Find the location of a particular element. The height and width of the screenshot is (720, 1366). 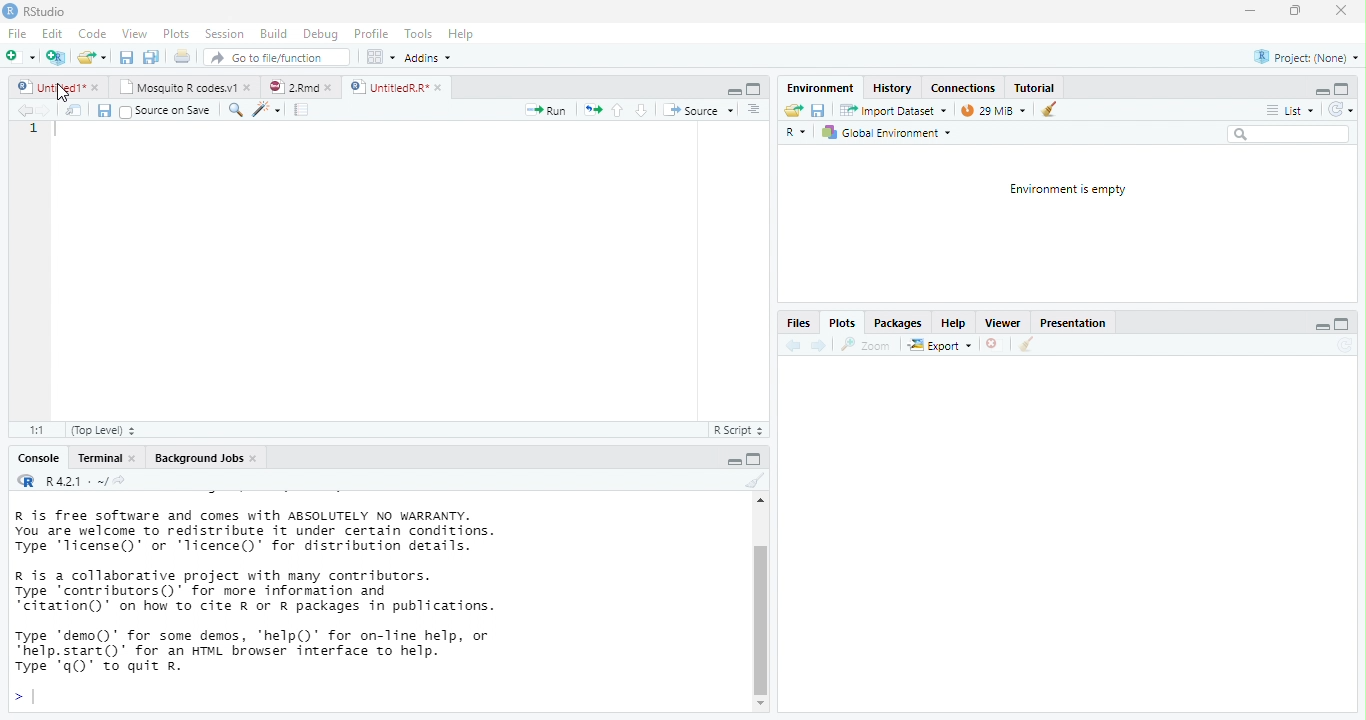

Go to file/function is located at coordinates (273, 57).